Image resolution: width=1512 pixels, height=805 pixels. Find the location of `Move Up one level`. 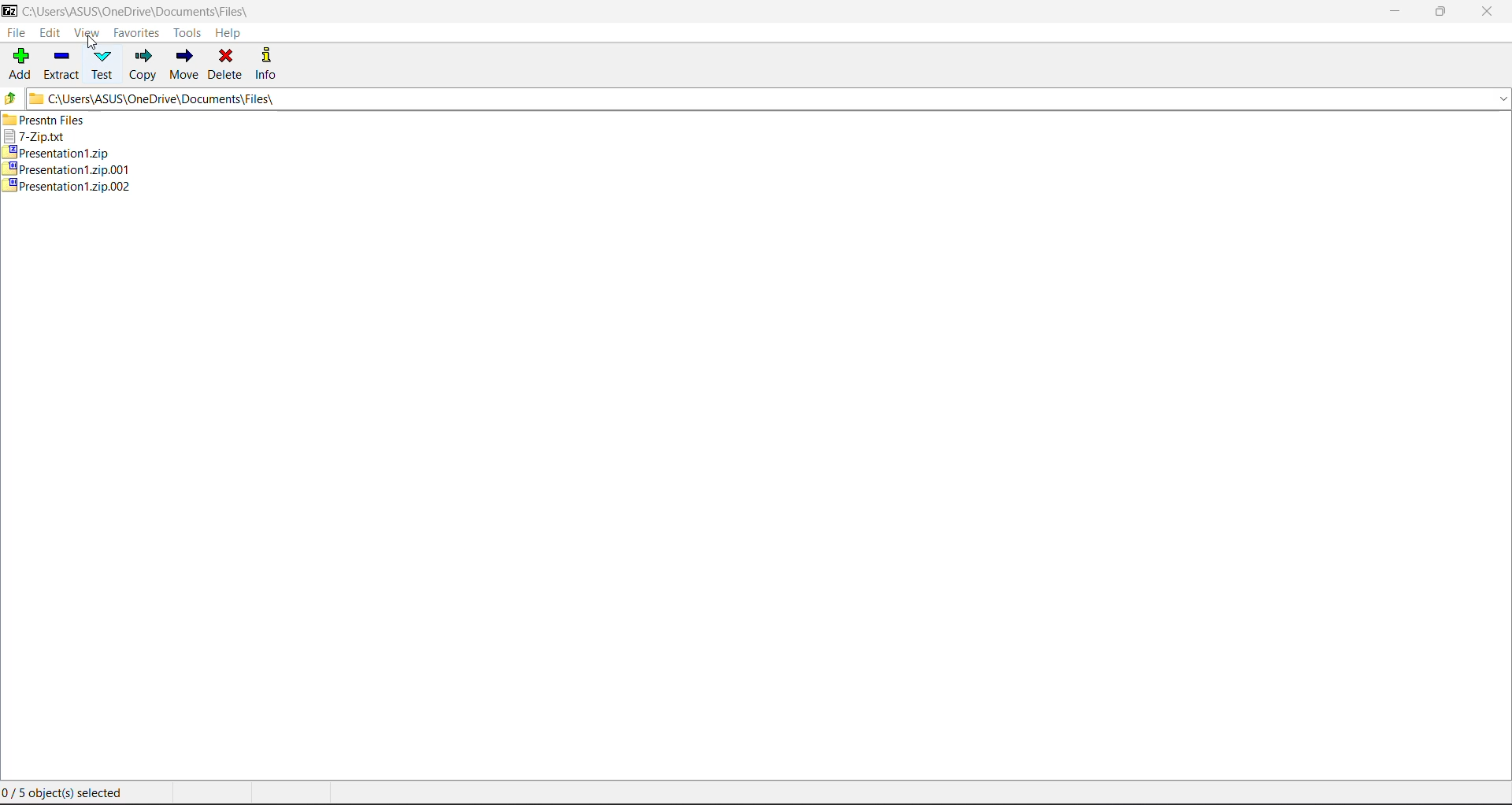

Move Up one level is located at coordinates (11, 98).